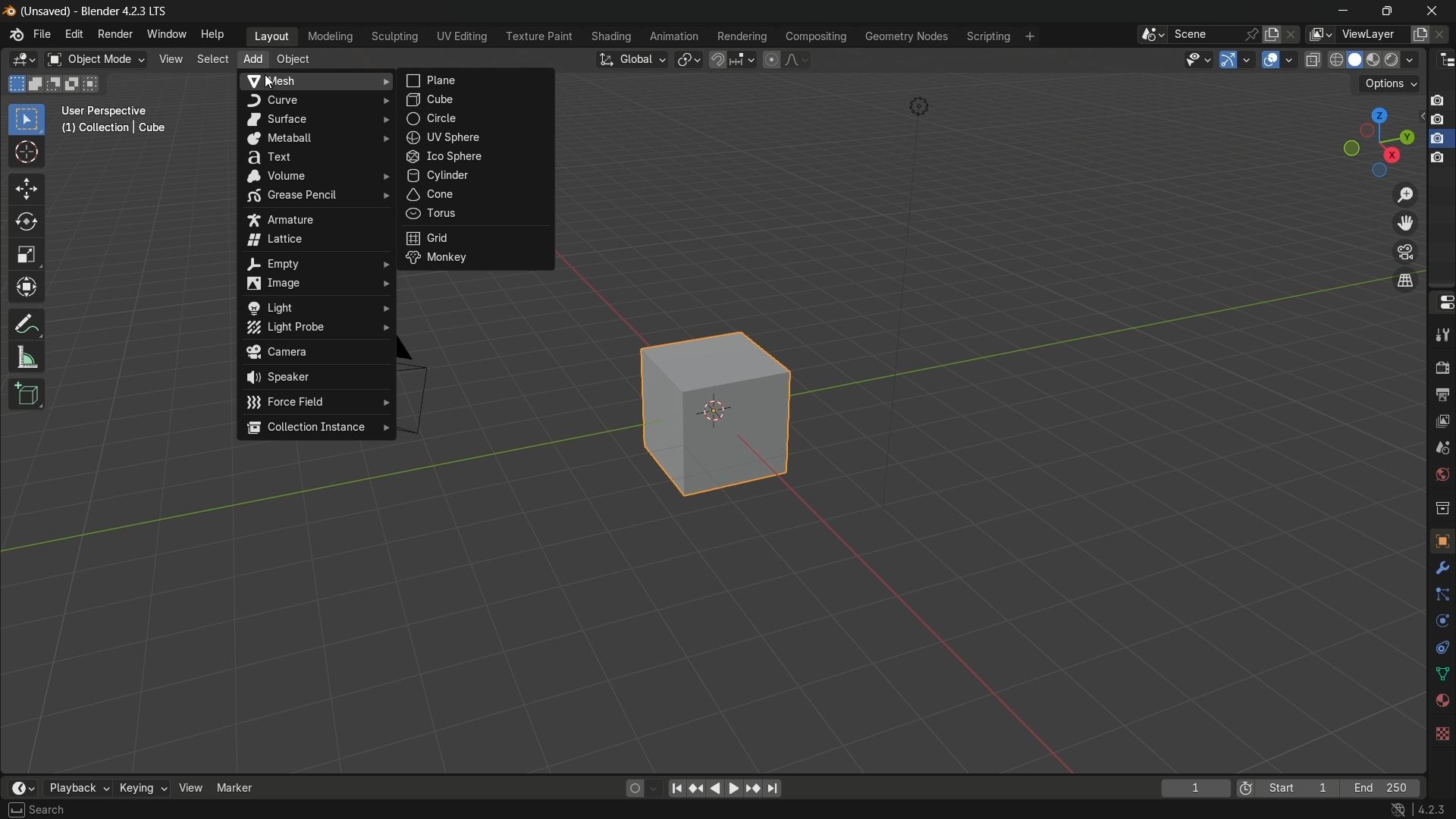  Describe the element at coordinates (1357, 60) in the screenshot. I see `solid` at that location.